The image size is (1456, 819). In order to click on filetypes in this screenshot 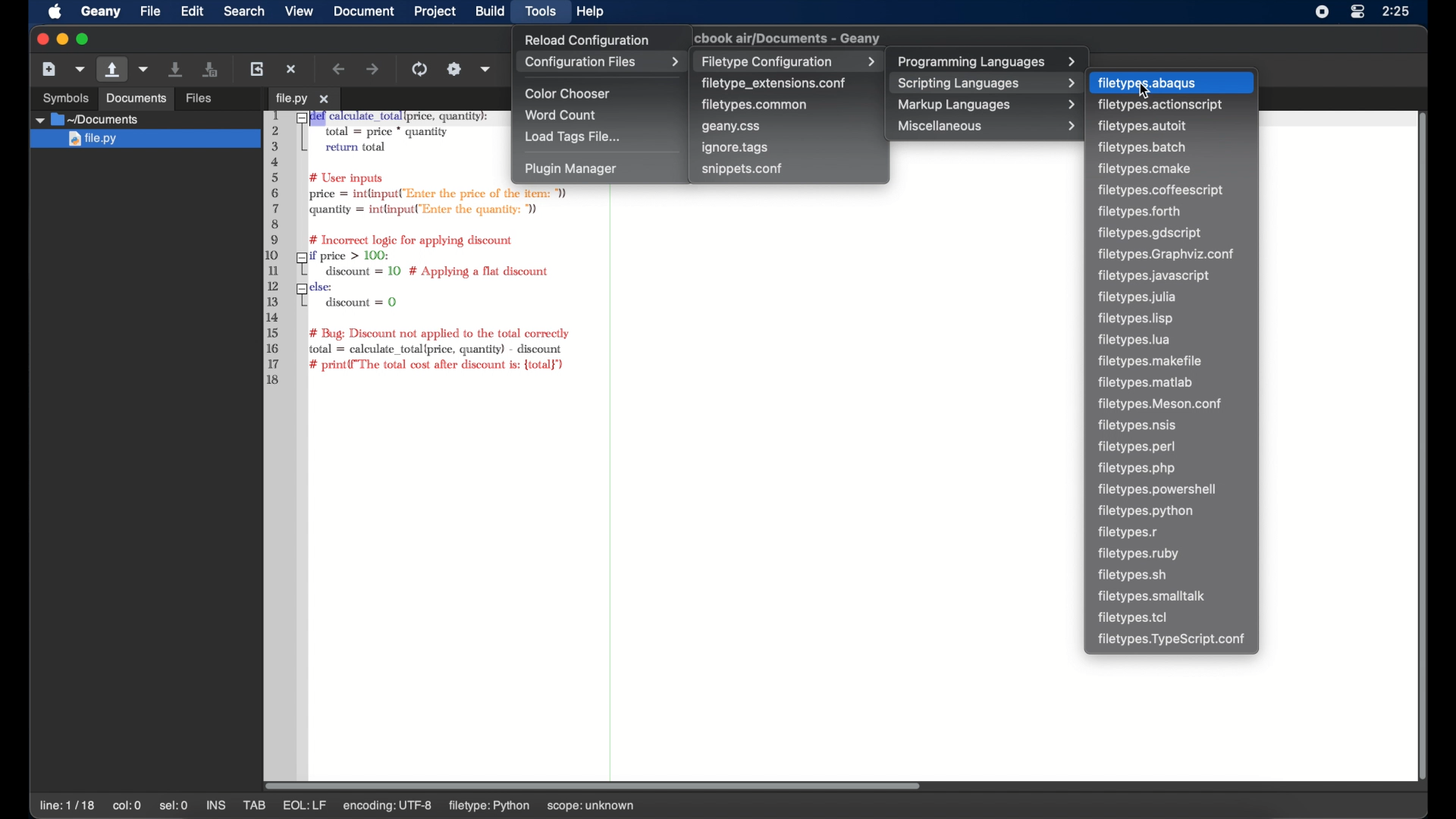, I will do `click(1142, 212)`.